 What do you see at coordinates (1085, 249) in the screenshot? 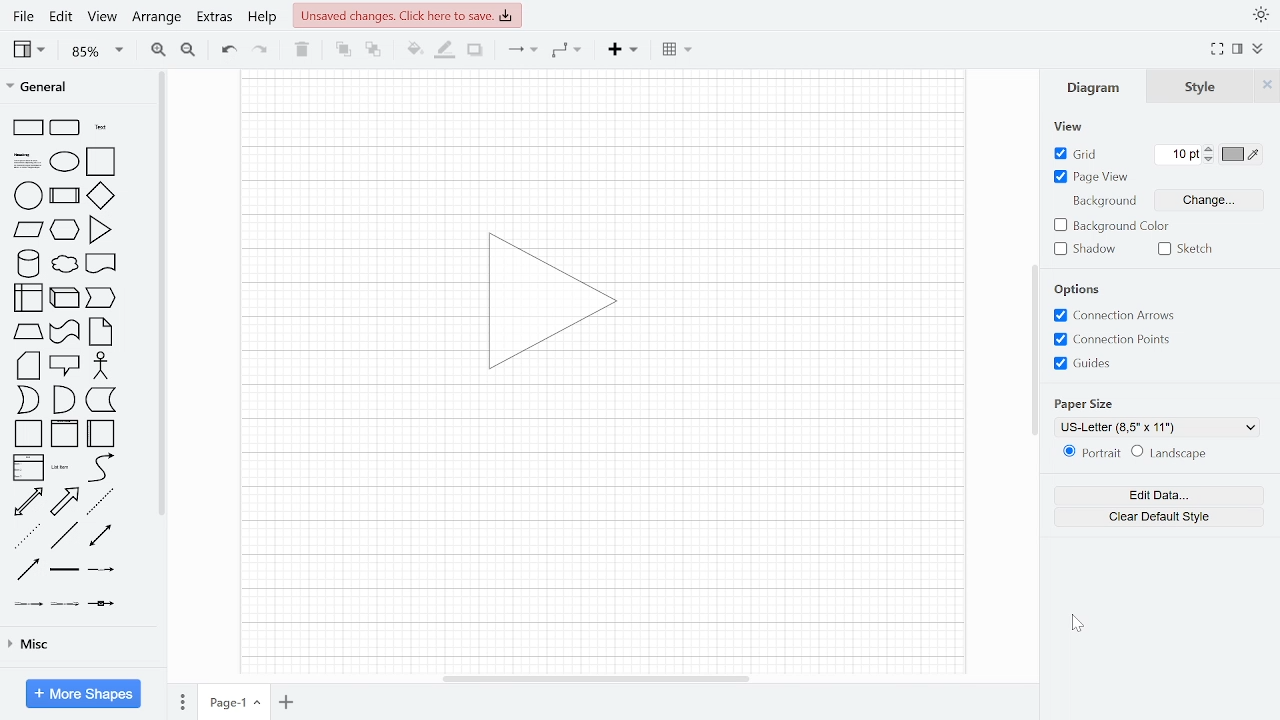
I see `Shadow` at bounding box center [1085, 249].